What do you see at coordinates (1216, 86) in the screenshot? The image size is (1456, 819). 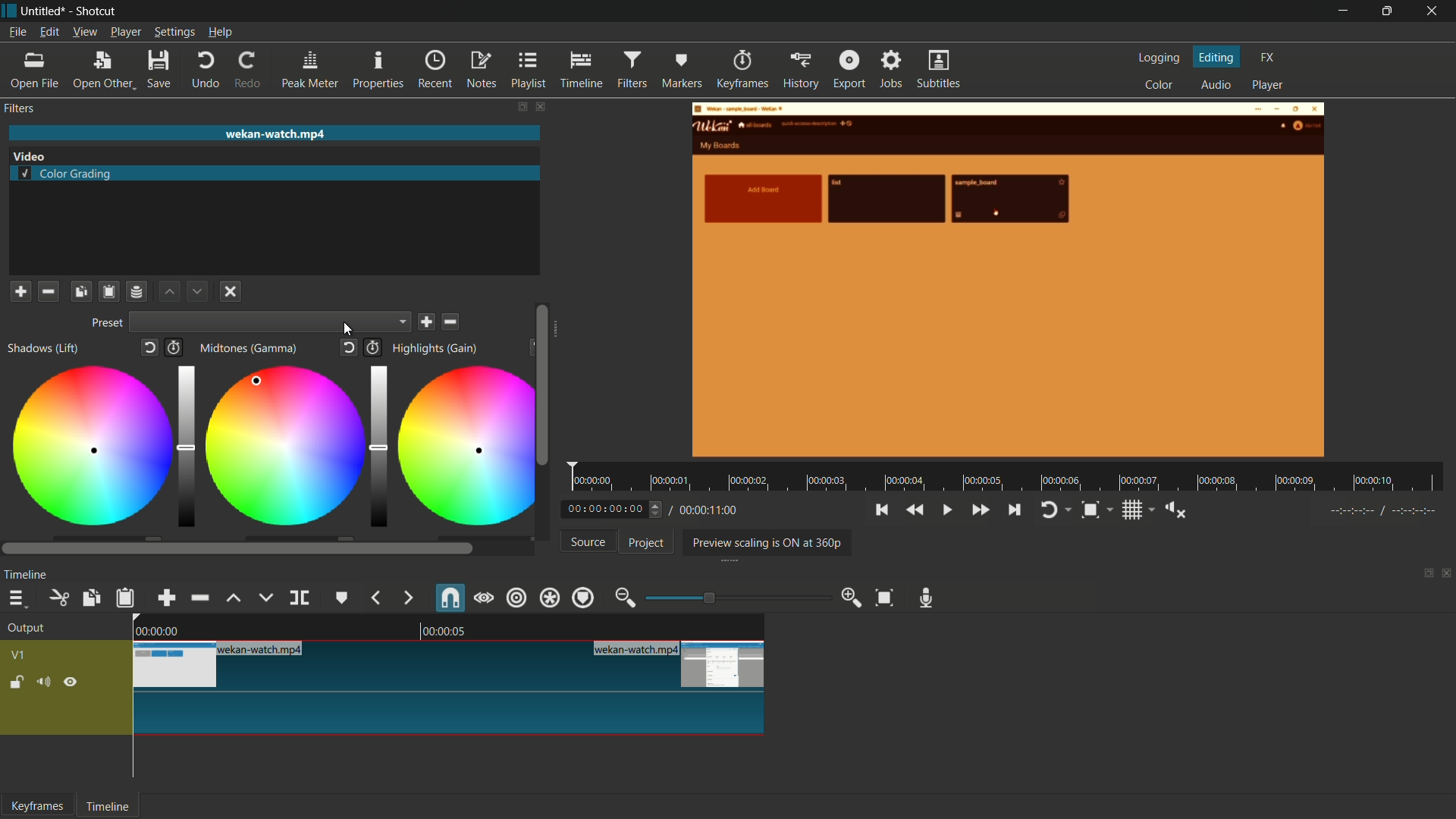 I see `audio` at bounding box center [1216, 86].